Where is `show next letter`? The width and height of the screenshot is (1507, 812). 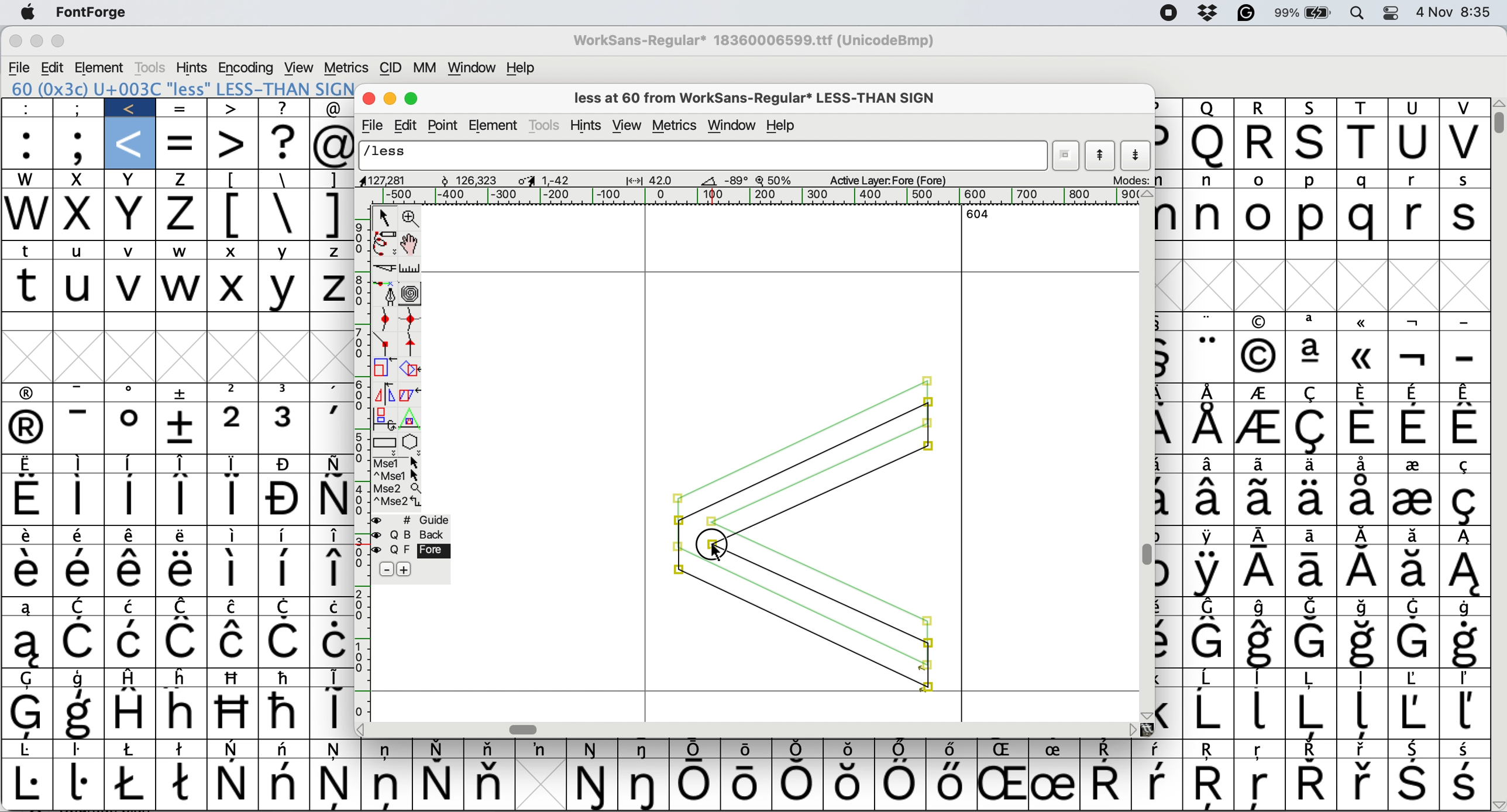
show next letter is located at coordinates (1138, 156).